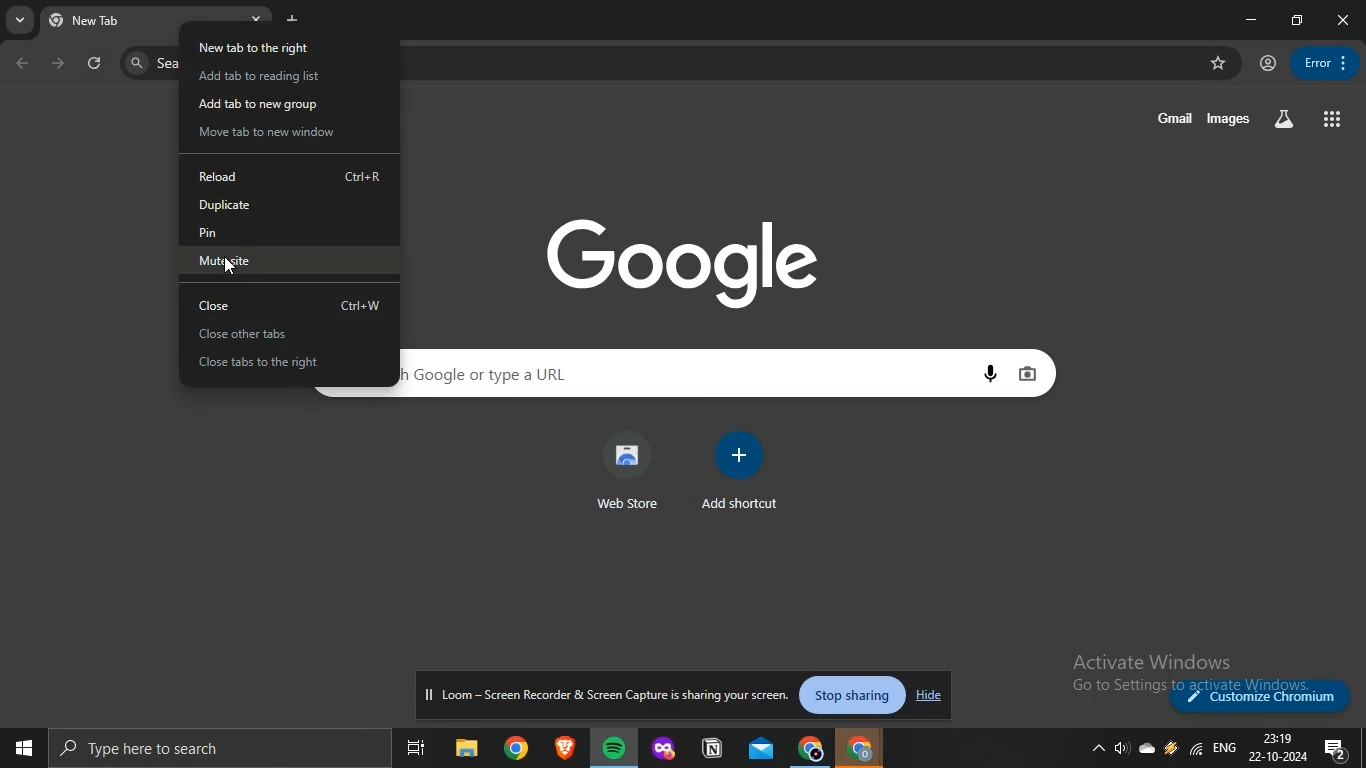 This screenshot has width=1366, height=768. I want to click on type here to search, so click(211, 748).